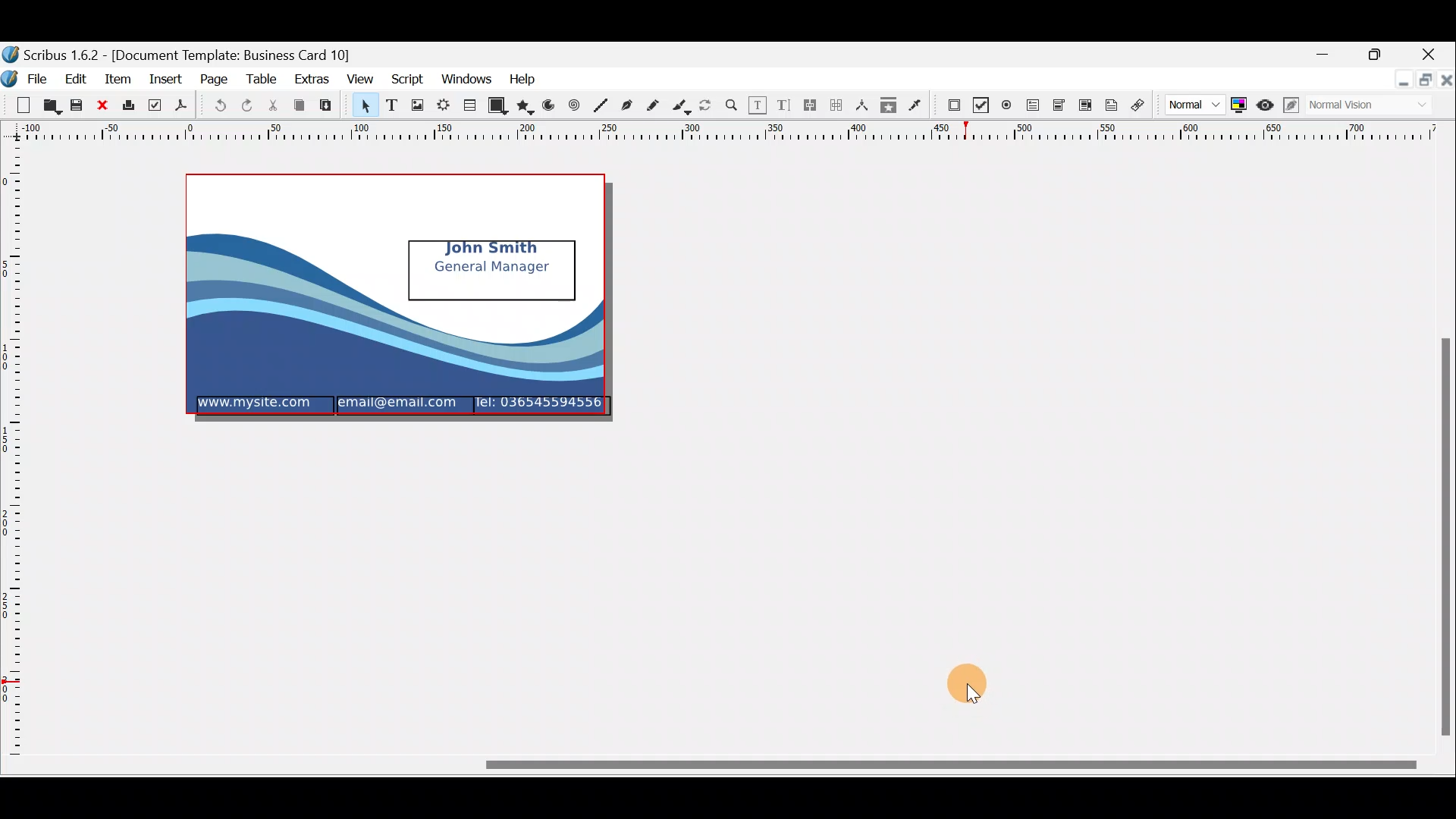  I want to click on Document name, so click(181, 52).